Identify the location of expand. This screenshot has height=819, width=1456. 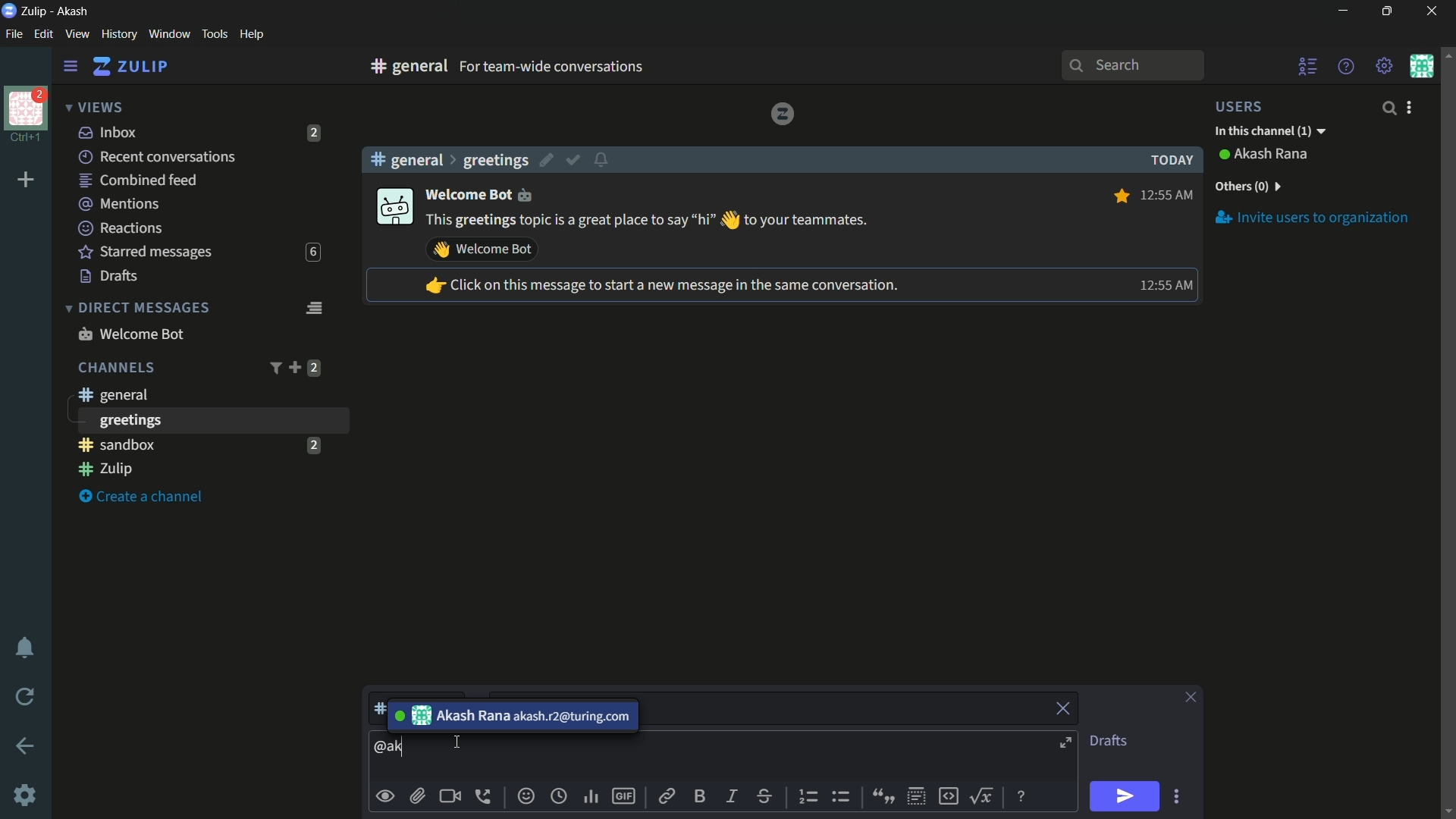
(1068, 745).